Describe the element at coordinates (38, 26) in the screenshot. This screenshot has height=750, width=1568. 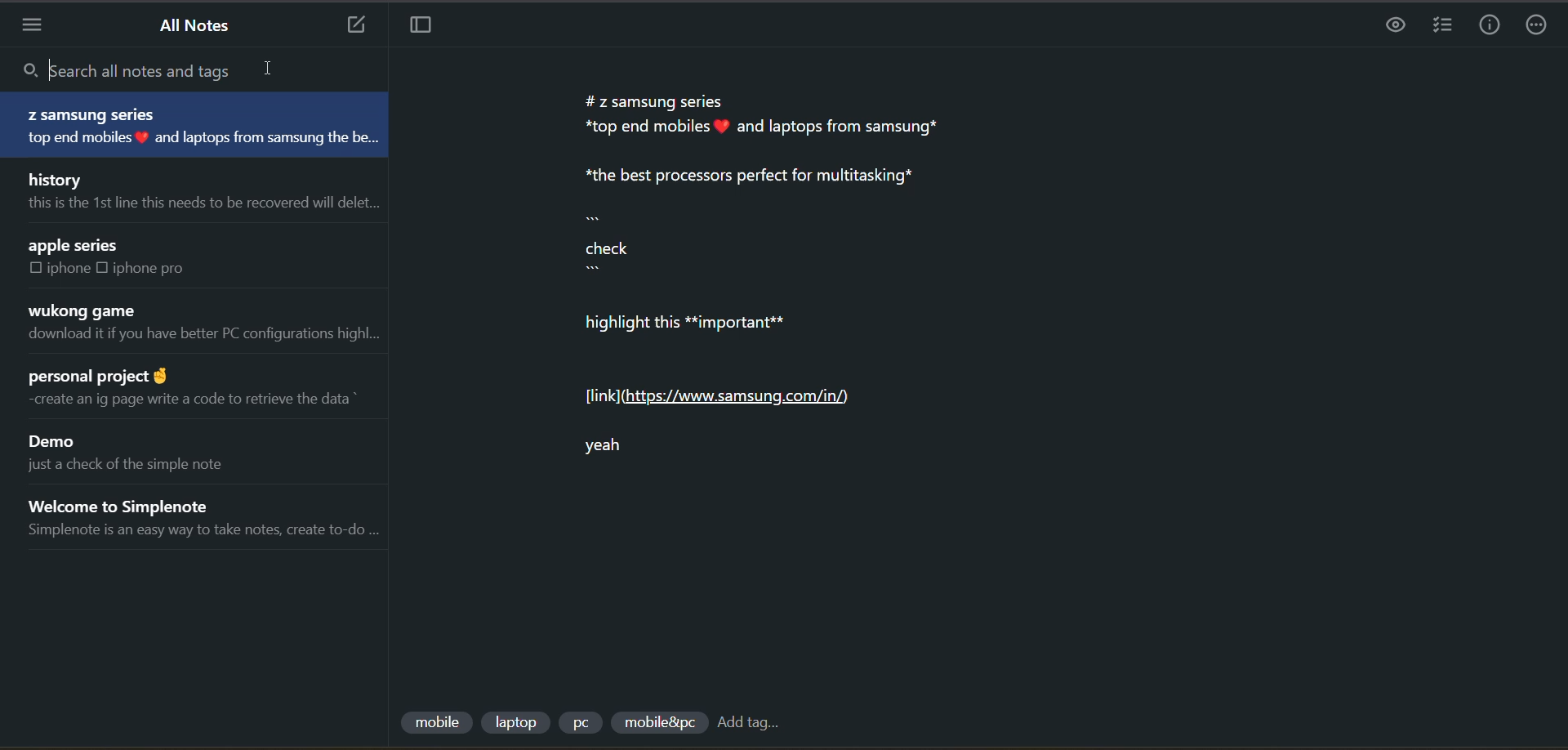
I see `menu` at that location.